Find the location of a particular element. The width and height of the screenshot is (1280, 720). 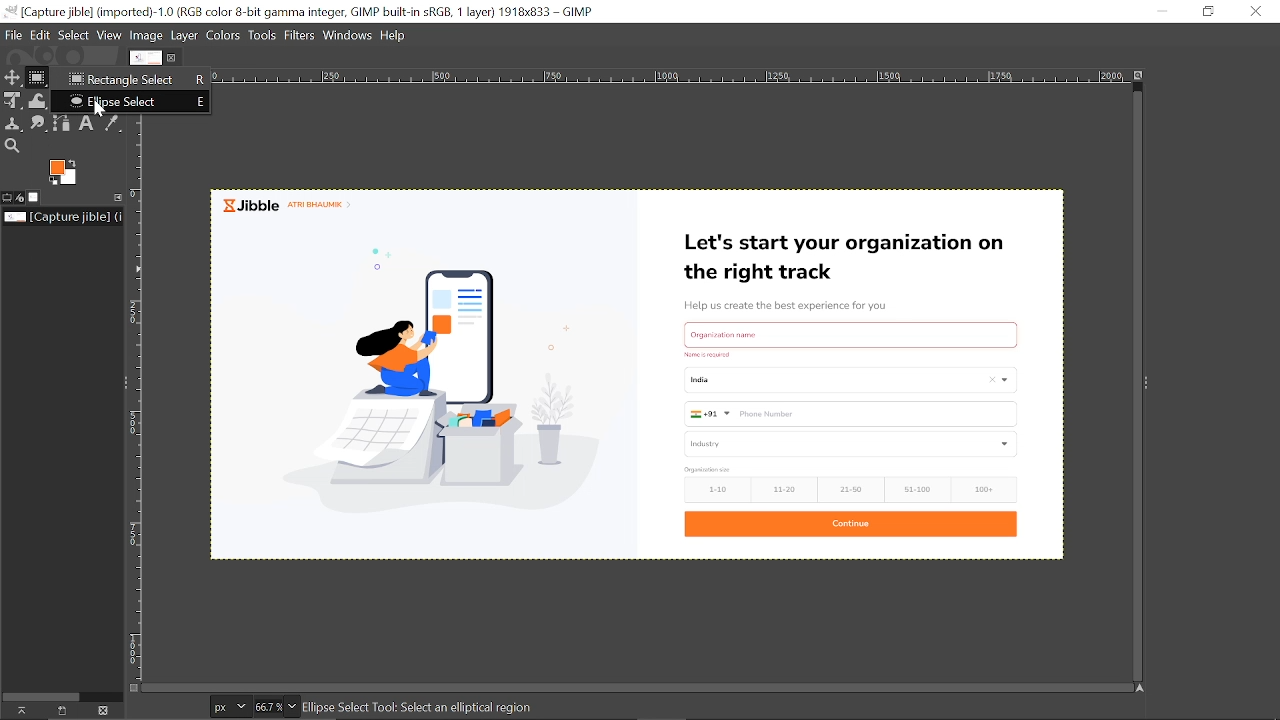

Images is located at coordinates (36, 197).